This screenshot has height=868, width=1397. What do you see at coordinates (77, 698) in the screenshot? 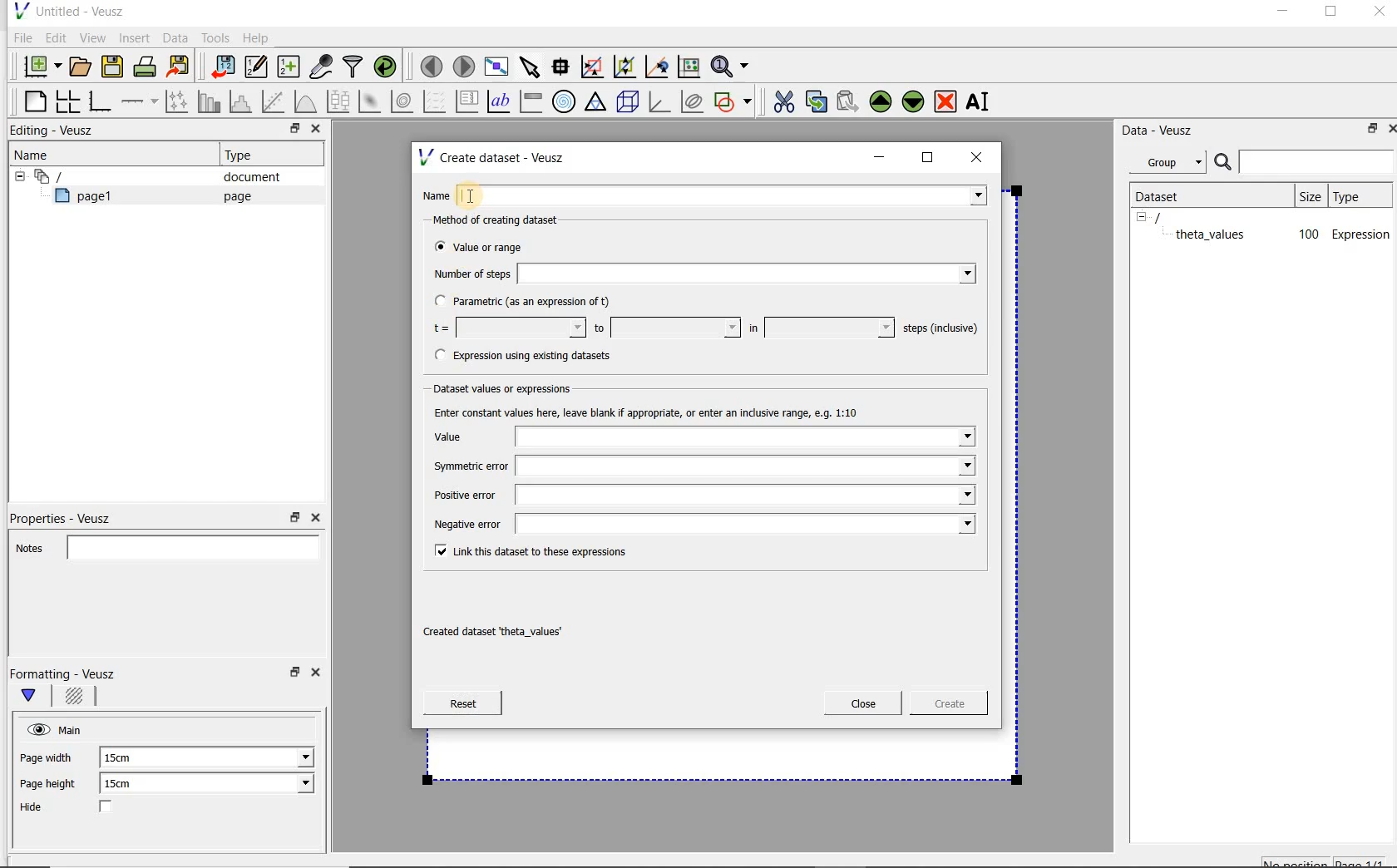
I see `Background` at bounding box center [77, 698].